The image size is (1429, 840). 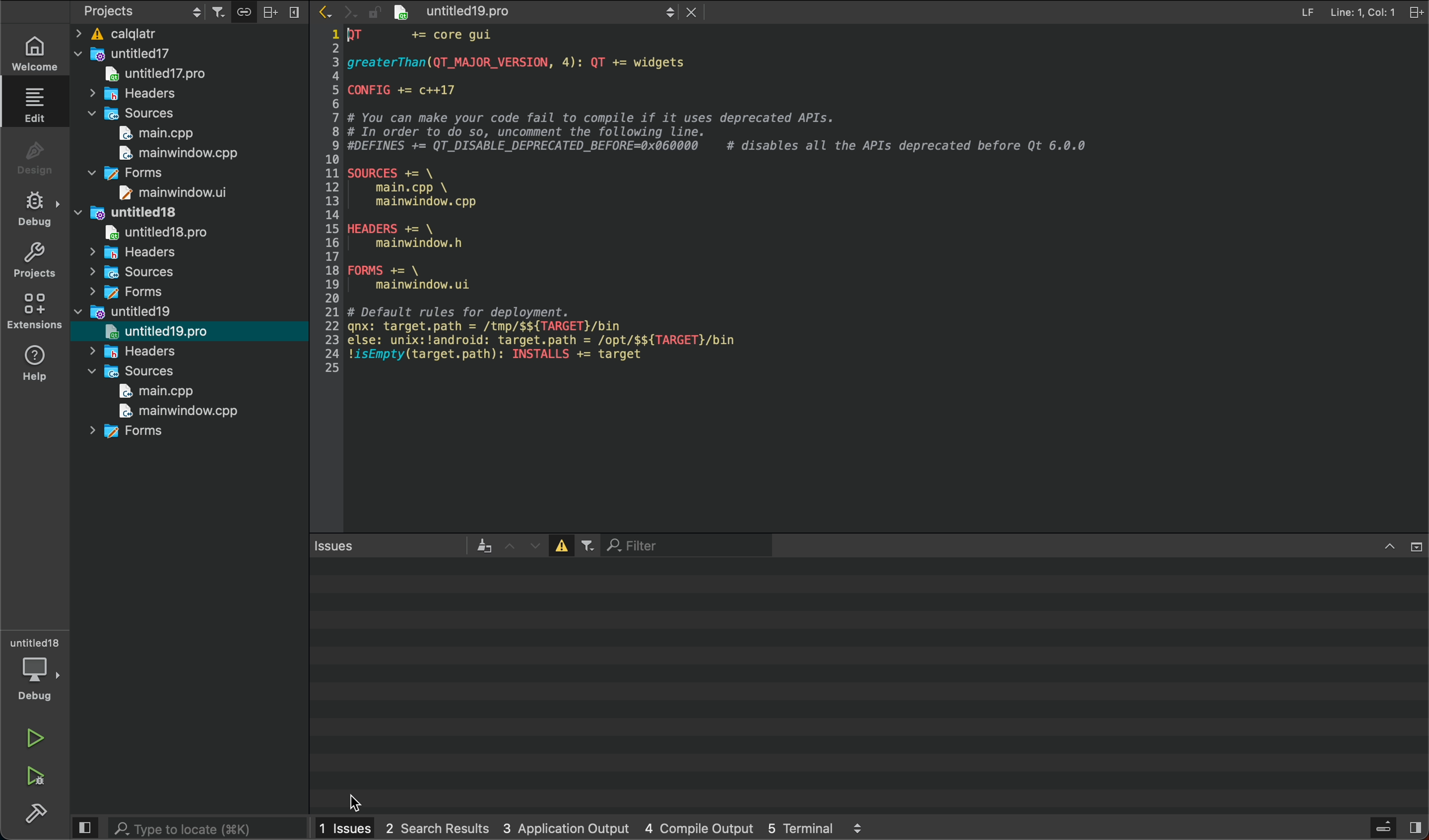 What do you see at coordinates (38, 107) in the screenshot?
I see `edit` at bounding box center [38, 107].